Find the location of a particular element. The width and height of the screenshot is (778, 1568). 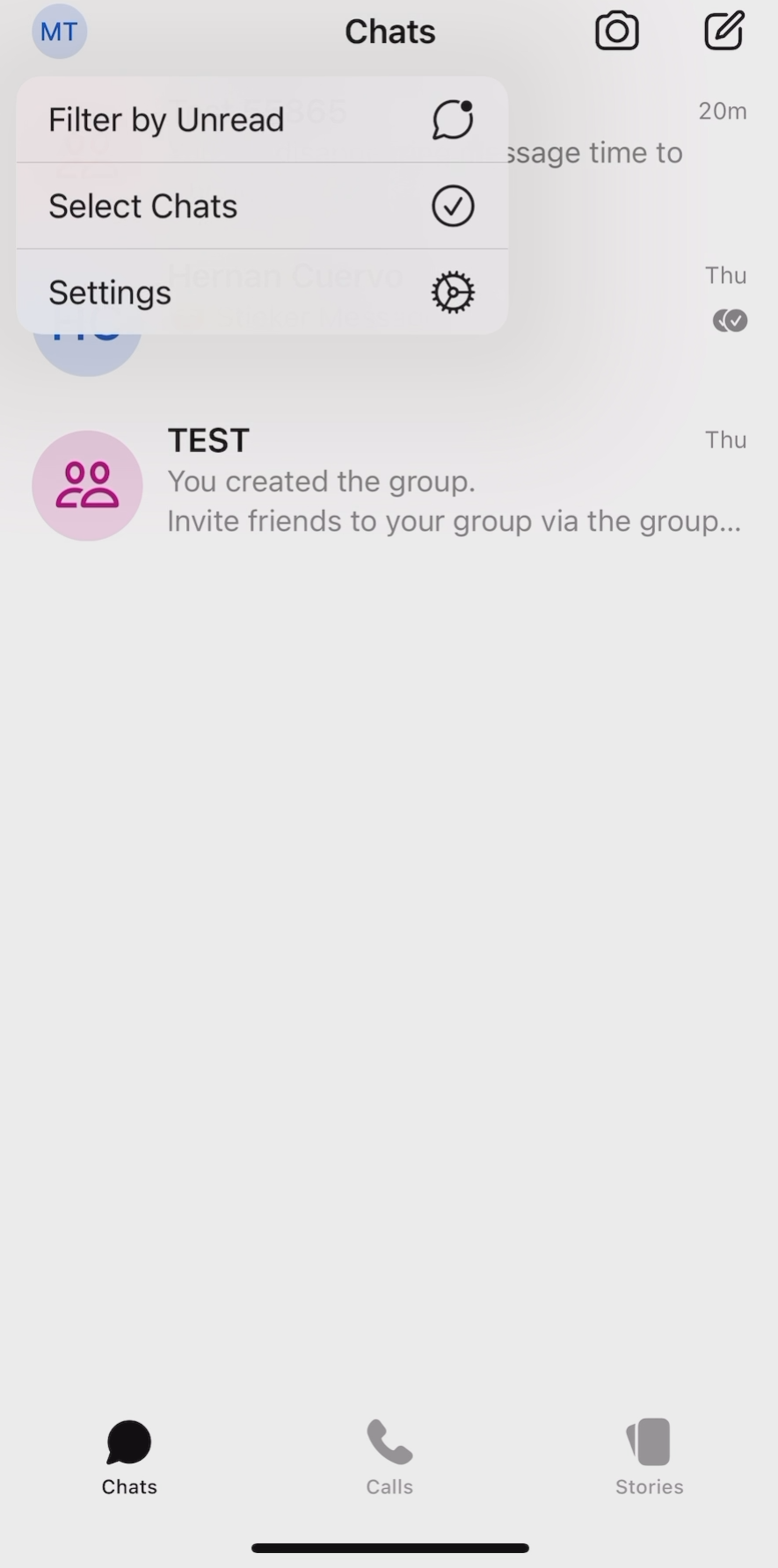

camera is located at coordinates (617, 33).